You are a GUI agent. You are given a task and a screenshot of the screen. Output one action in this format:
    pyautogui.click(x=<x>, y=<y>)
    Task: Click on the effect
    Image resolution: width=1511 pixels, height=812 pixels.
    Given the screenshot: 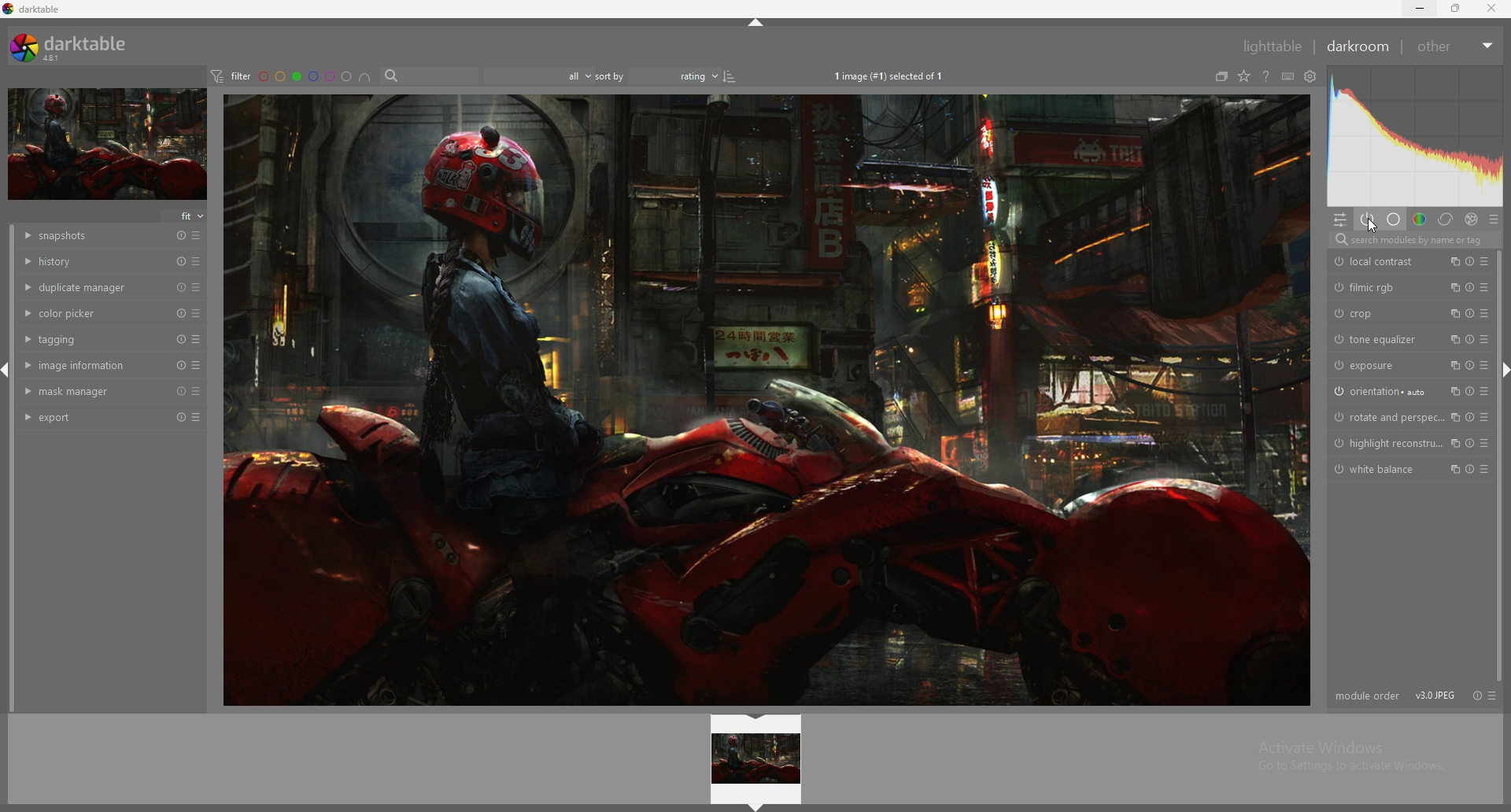 What is the action you would take?
    pyautogui.click(x=1469, y=218)
    